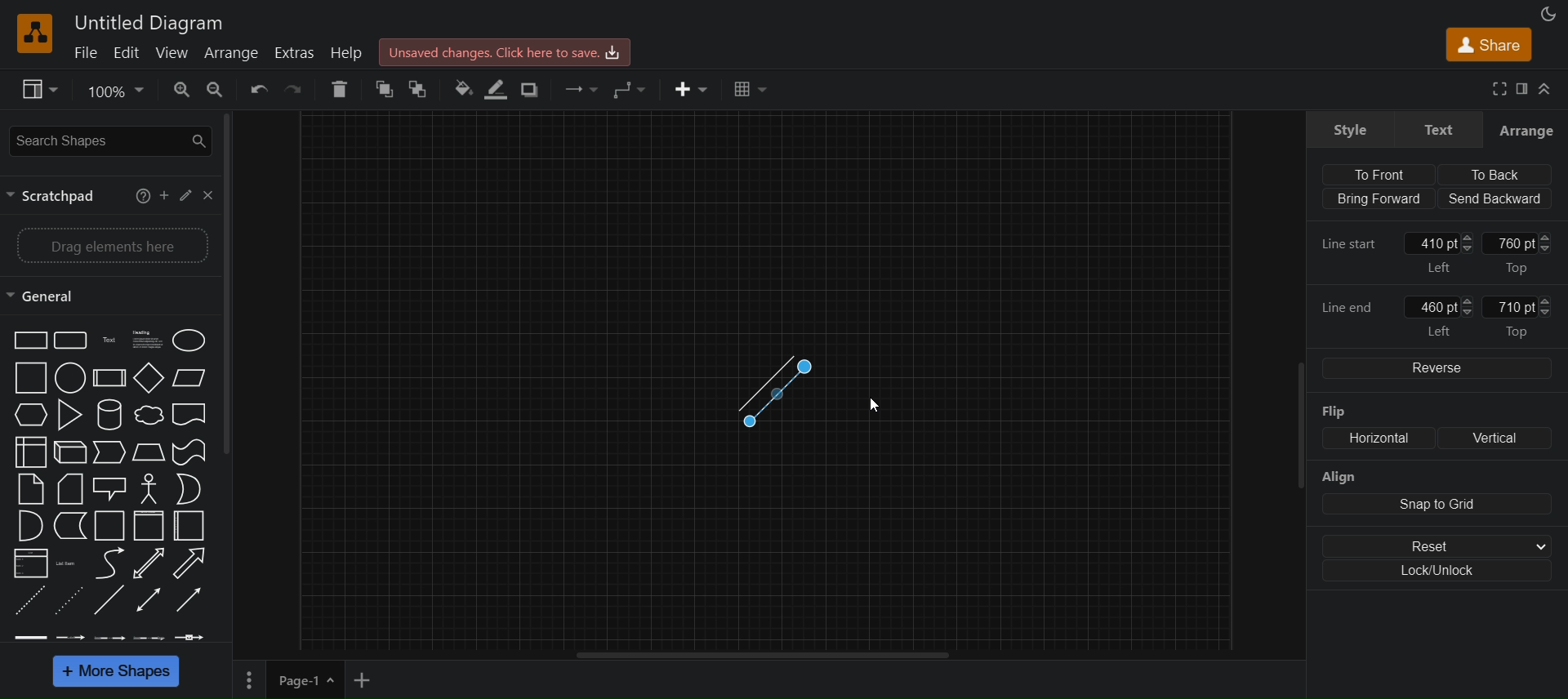  What do you see at coordinates (1374, 439) in the screenshot?
I see `horizontal` at bounding box center [1374, 439].